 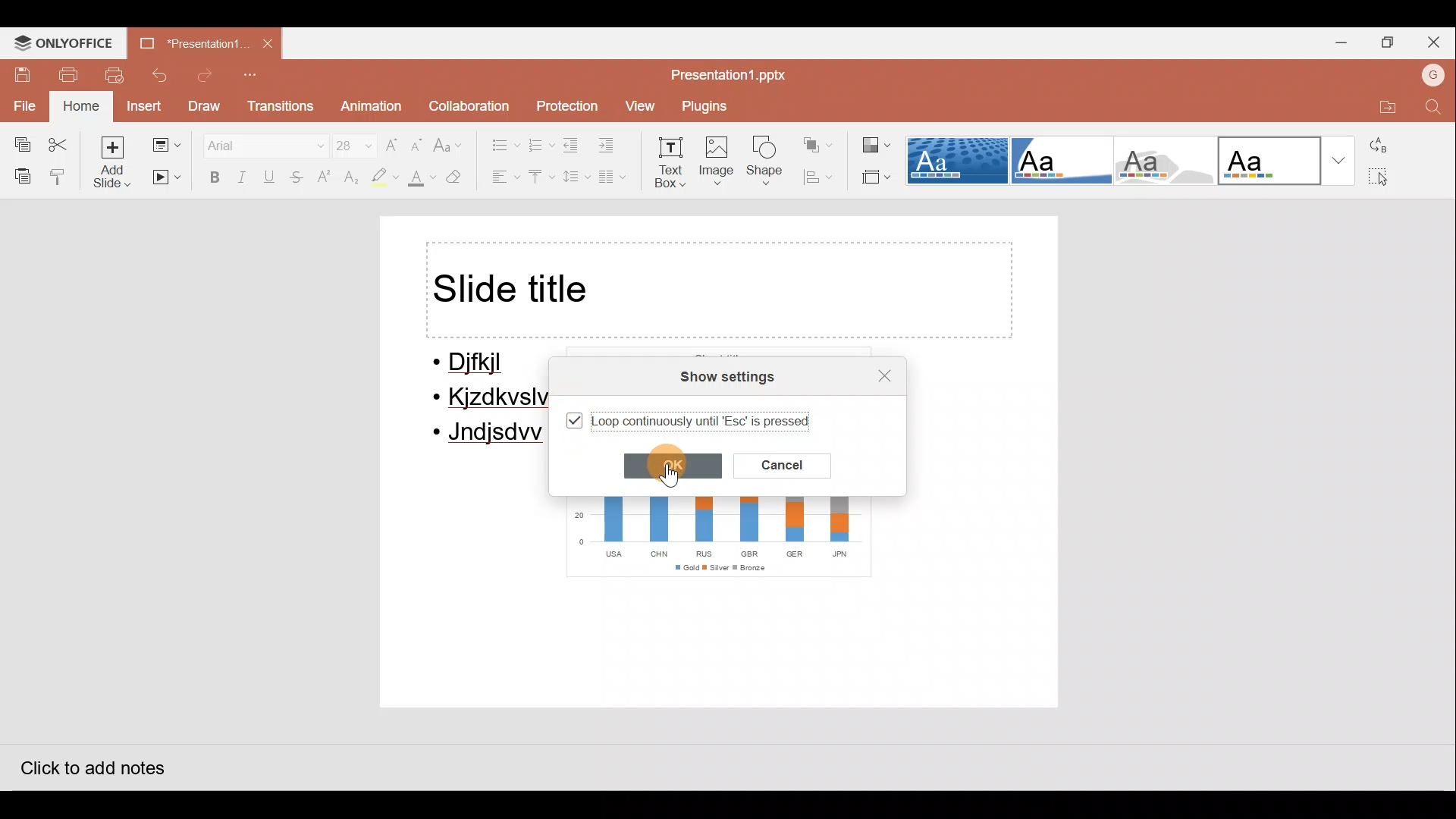 I want to click on Click to add notes, so click(x=91, y=767).